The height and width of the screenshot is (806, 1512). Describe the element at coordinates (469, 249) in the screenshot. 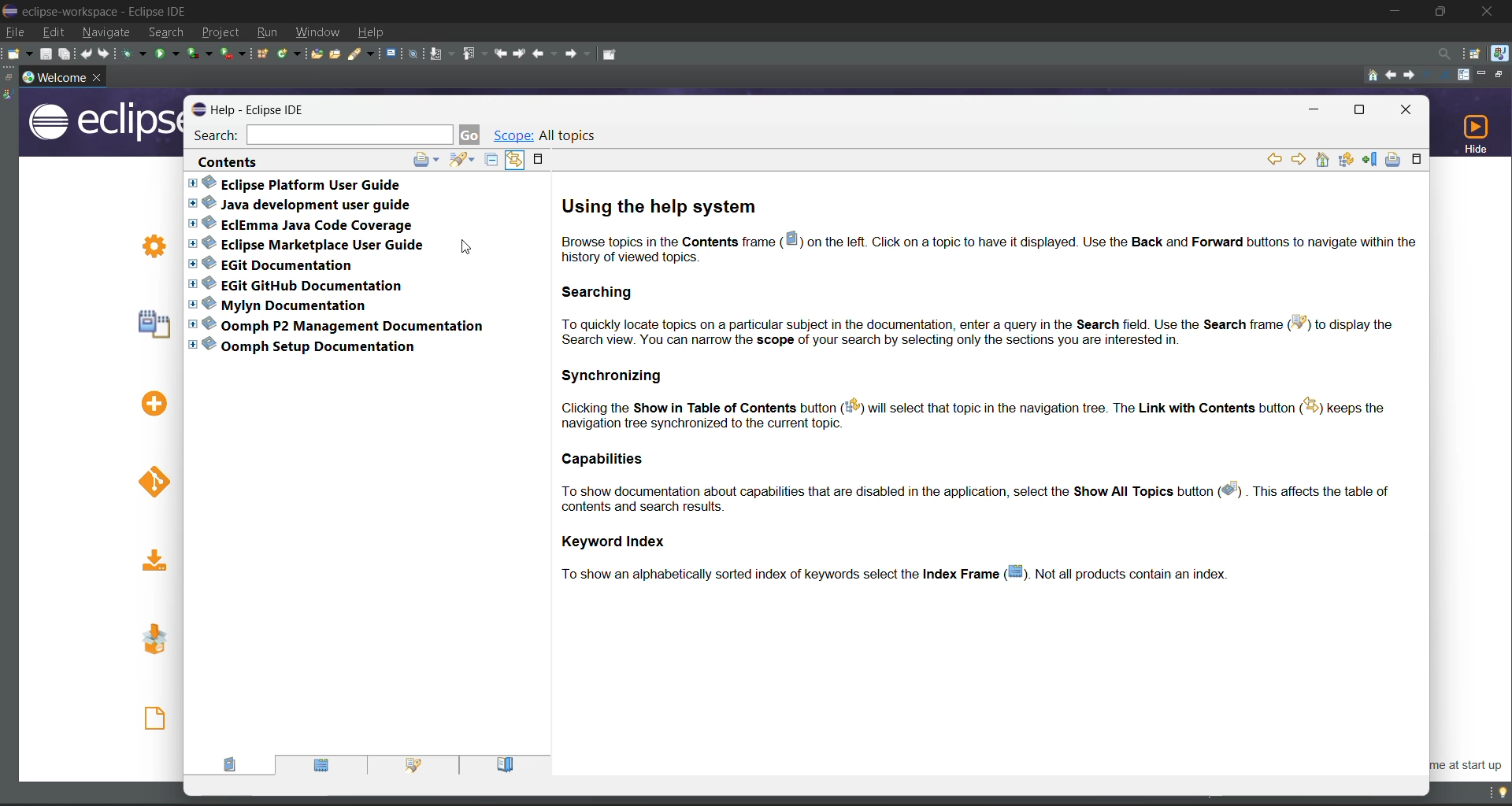

I see `cursor` at that location.